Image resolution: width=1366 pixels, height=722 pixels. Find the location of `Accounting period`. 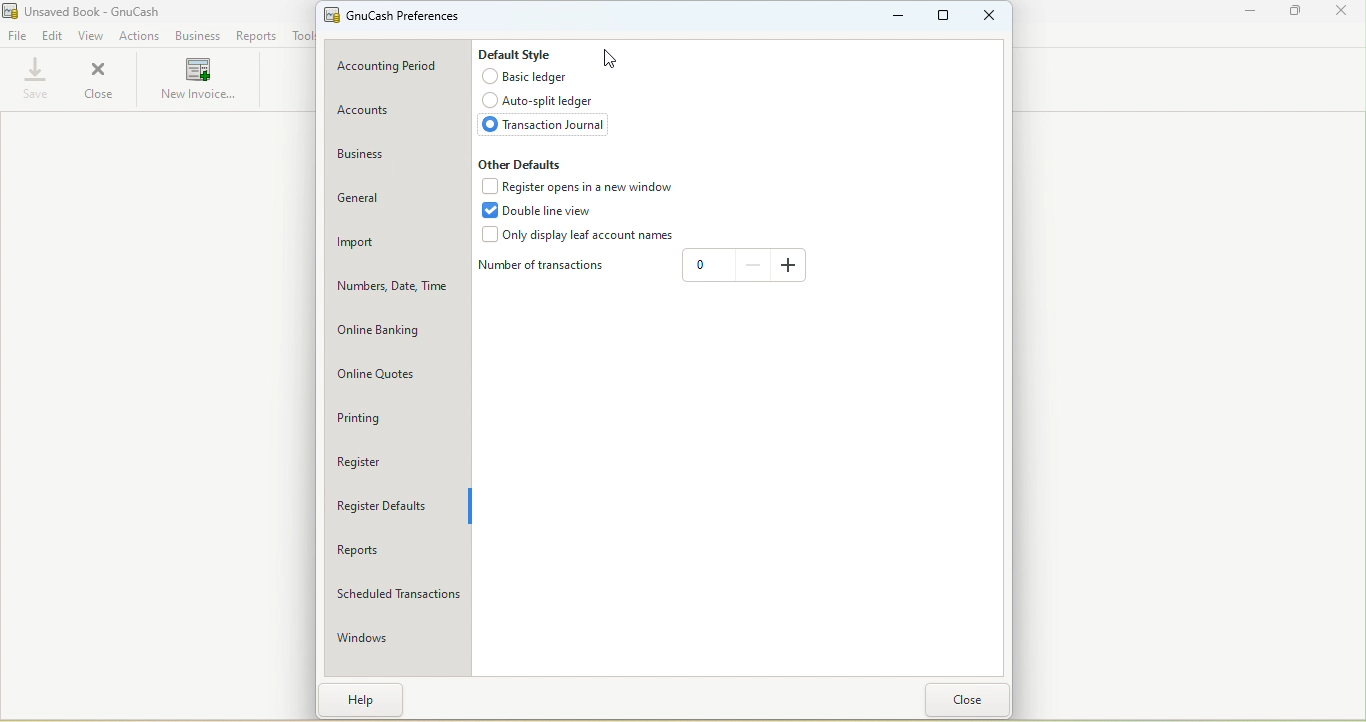

Accounting period is located at coordinates (401, 67).